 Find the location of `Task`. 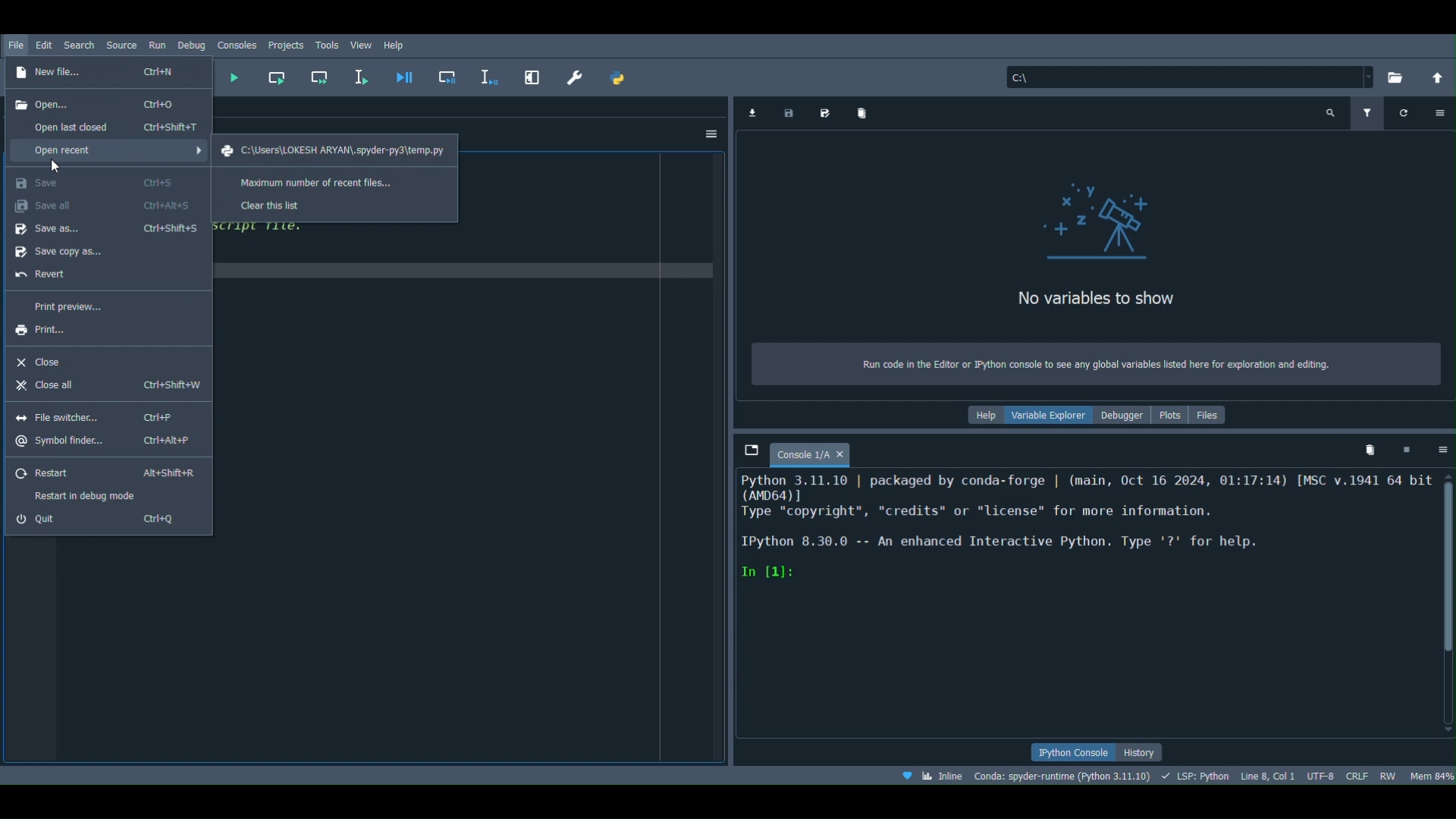

Task is located at coordinates (331, 43).